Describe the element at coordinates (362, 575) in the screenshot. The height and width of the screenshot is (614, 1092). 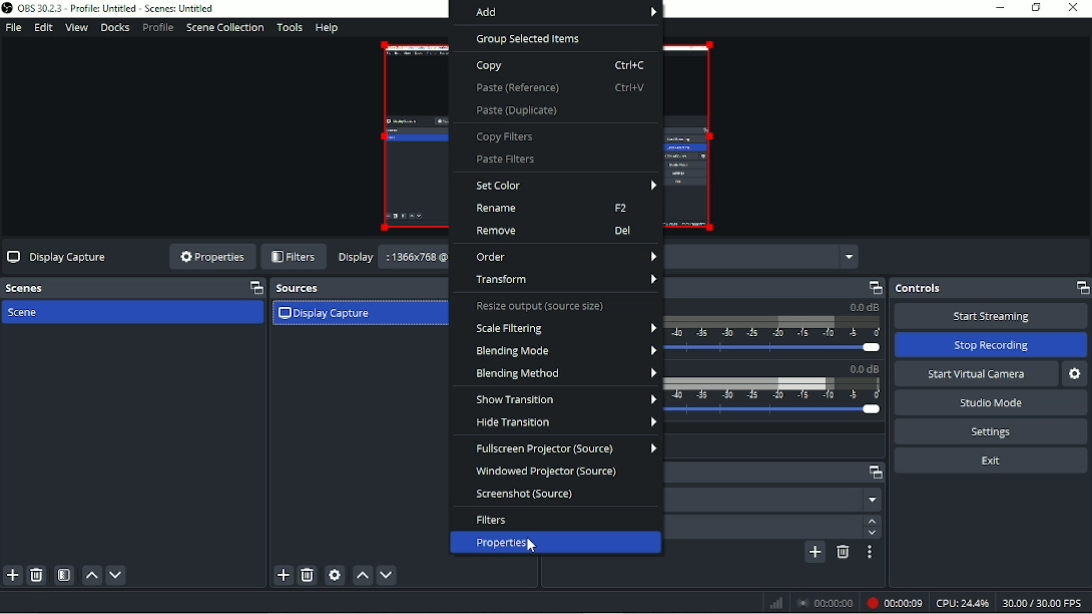
I see `Move source(s) up` at that location.